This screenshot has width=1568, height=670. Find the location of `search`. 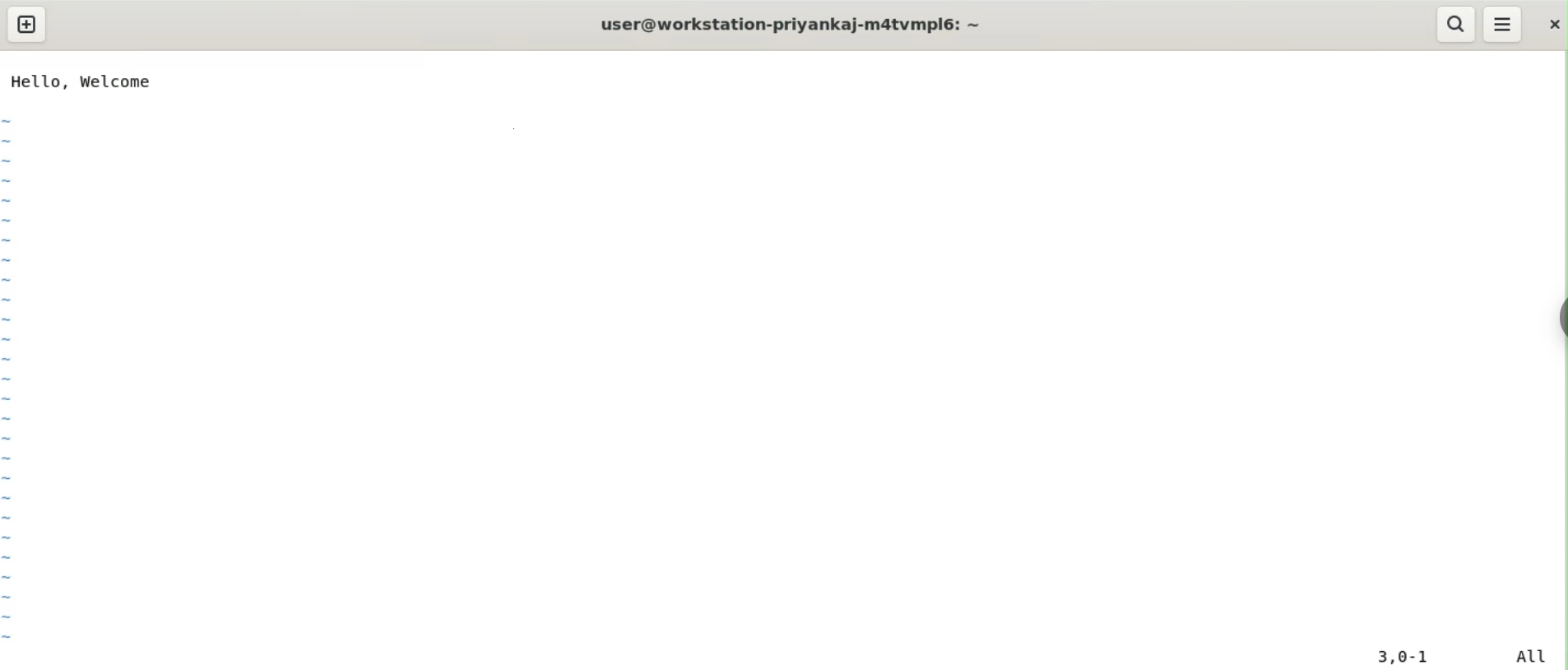

search is located at coordinates (1456, 24).